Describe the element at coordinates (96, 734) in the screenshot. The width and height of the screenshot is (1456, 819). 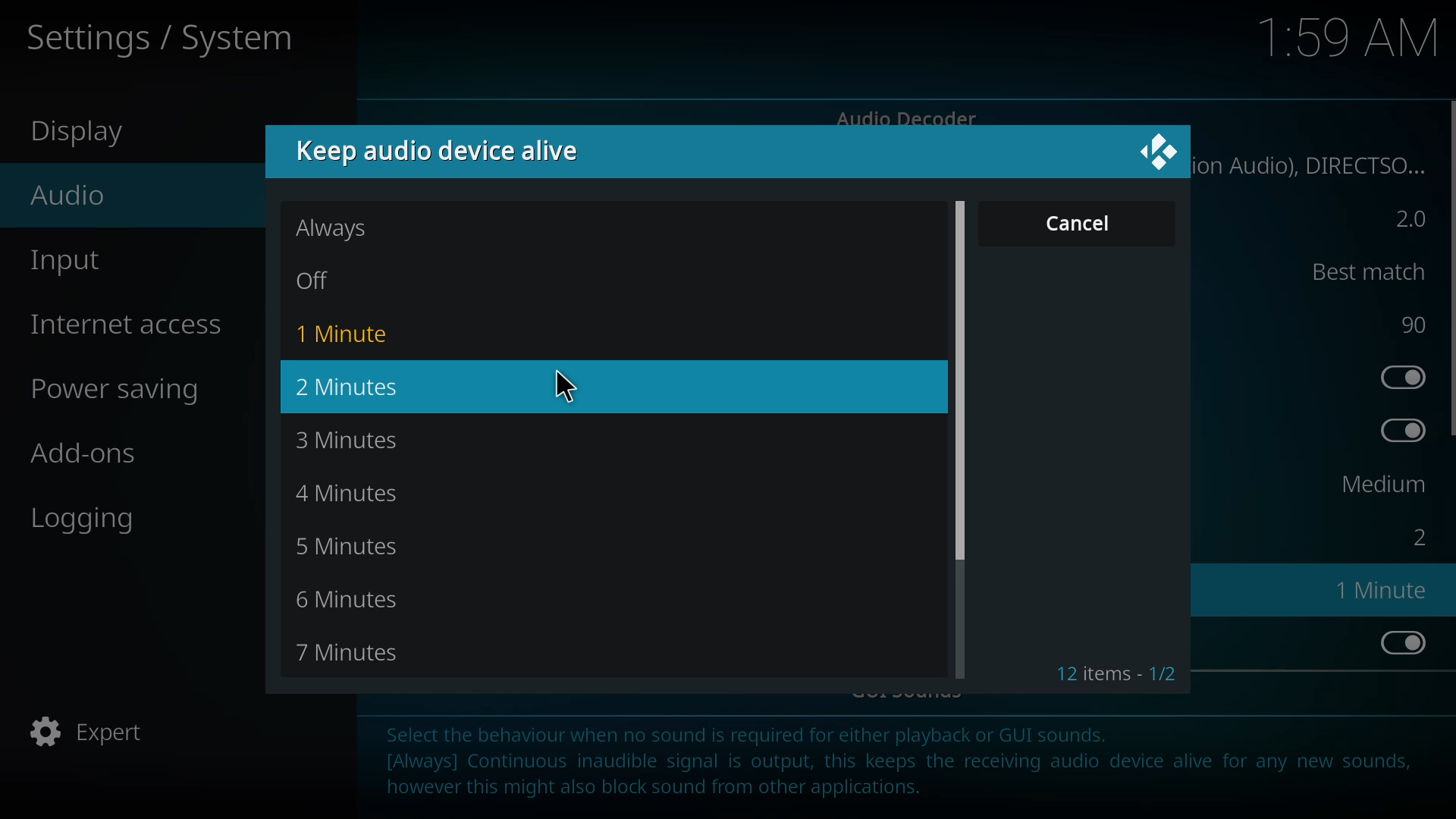
I see `expert` at that location.